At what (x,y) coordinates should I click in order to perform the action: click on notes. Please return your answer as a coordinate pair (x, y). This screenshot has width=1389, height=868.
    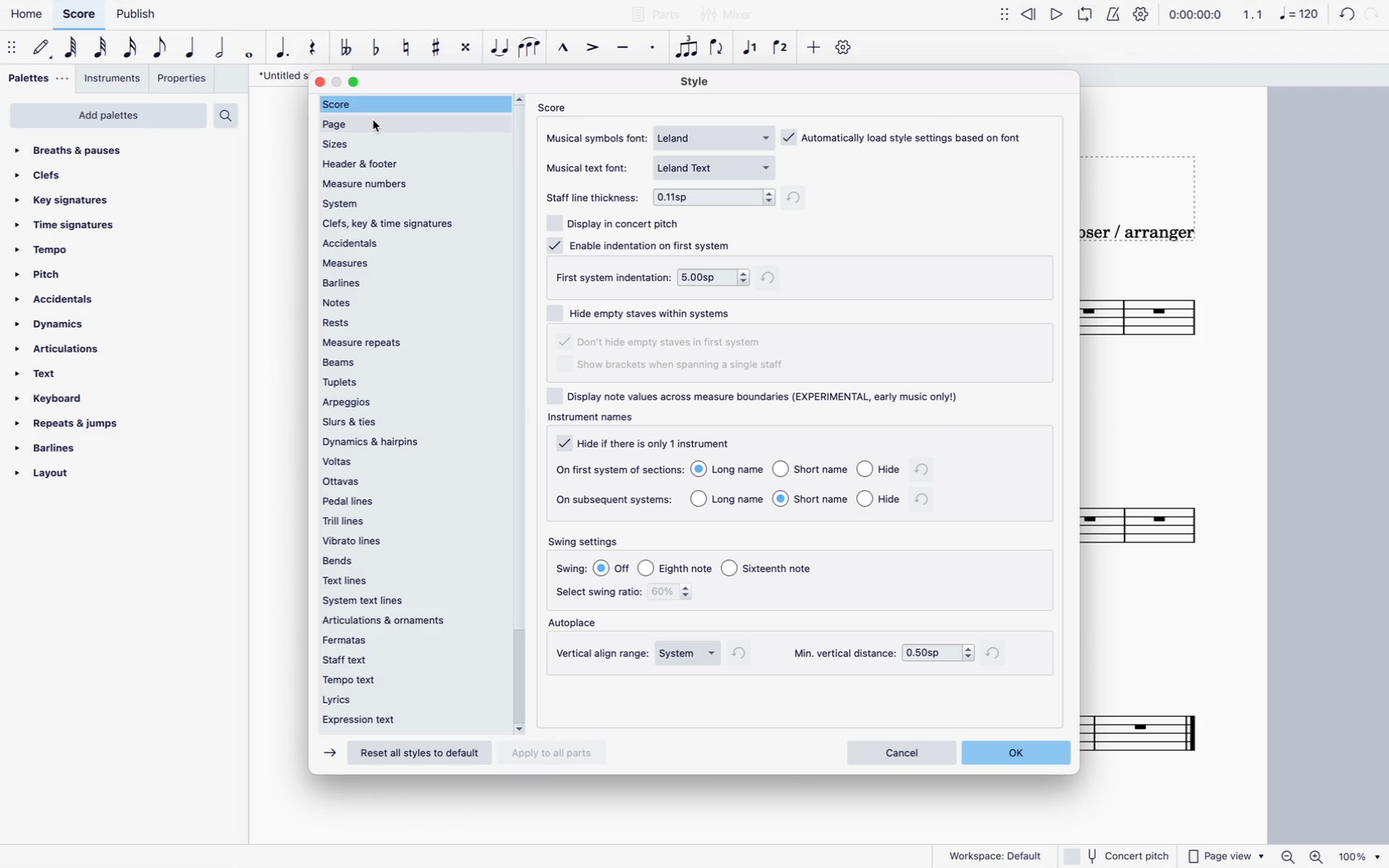
    Looking at the image, I should click on (411, 301).